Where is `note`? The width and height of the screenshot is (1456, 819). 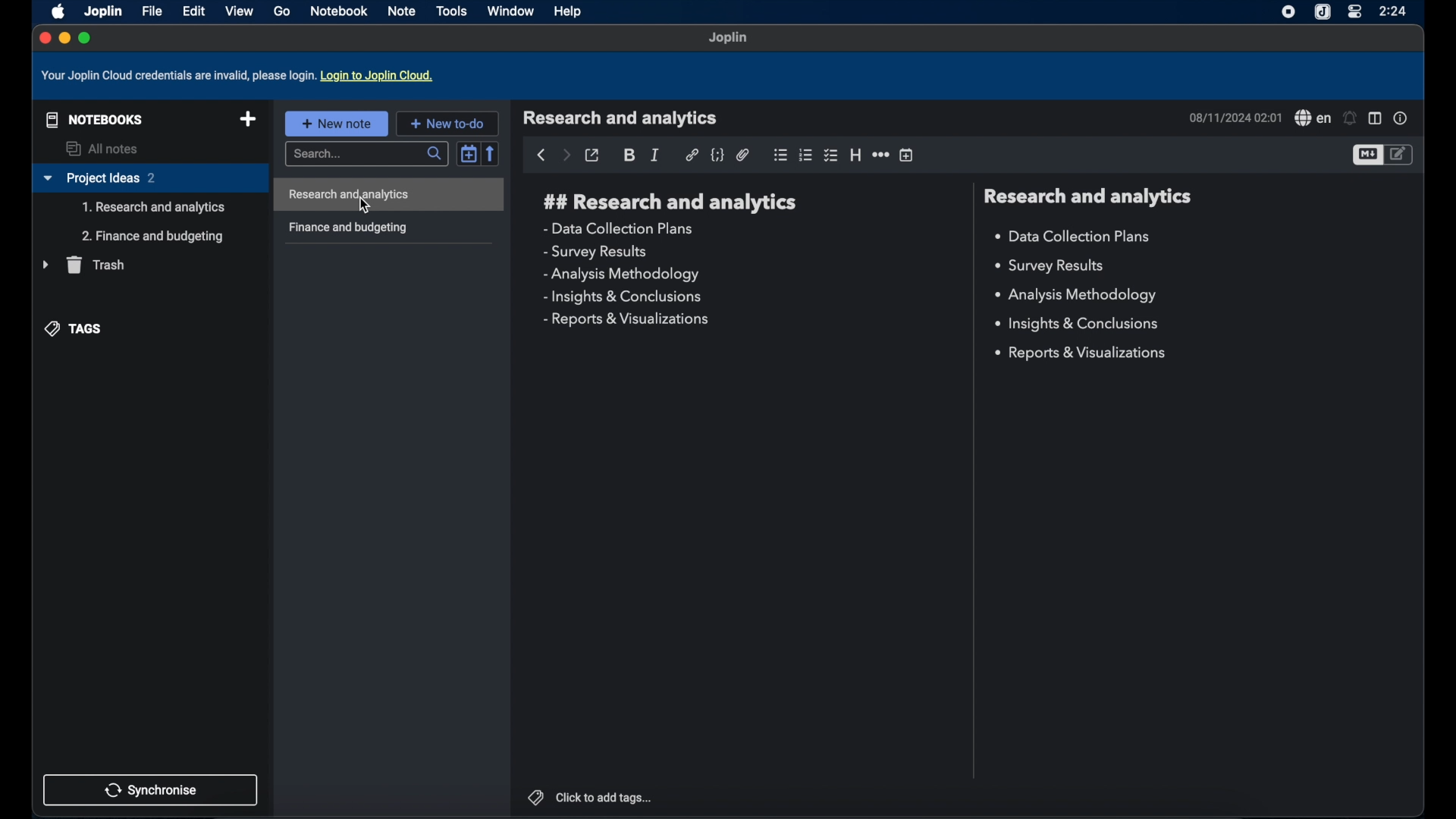 note is located at coordinates (403, 11).